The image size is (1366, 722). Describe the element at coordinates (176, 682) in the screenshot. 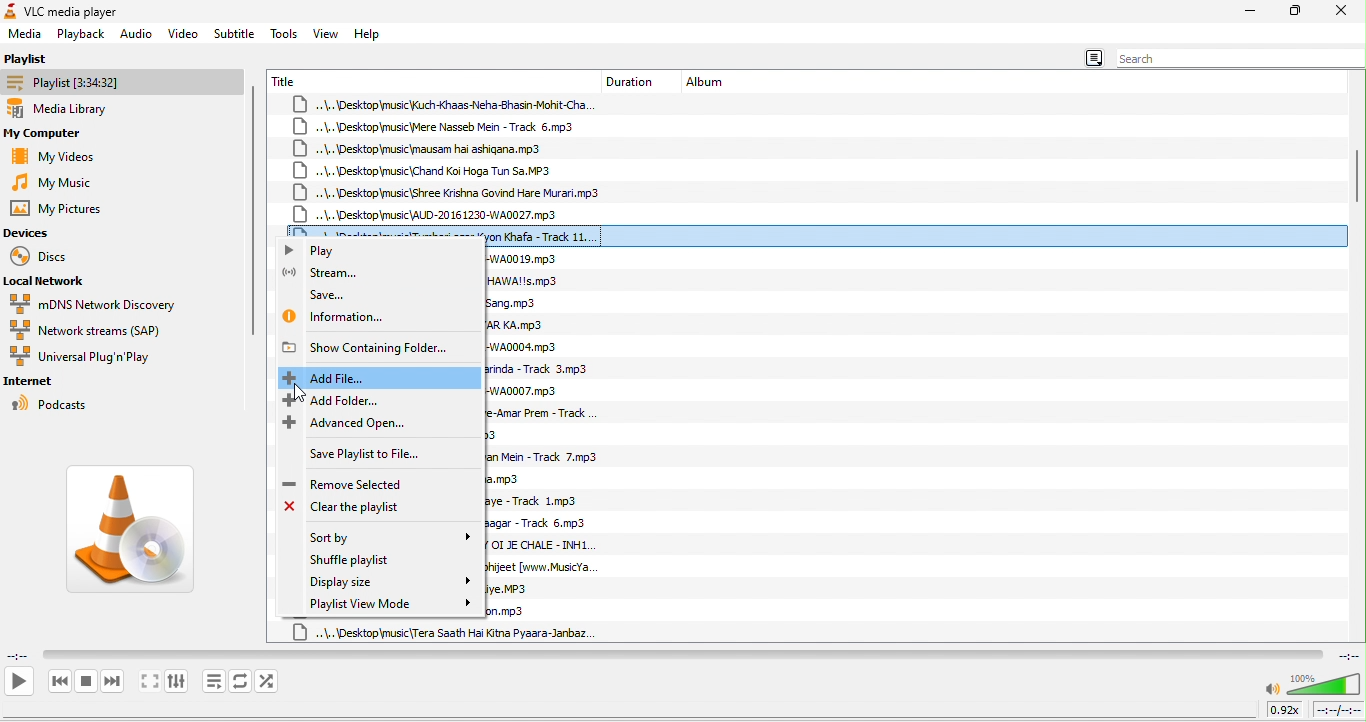

I see `show extended settings` at that location.